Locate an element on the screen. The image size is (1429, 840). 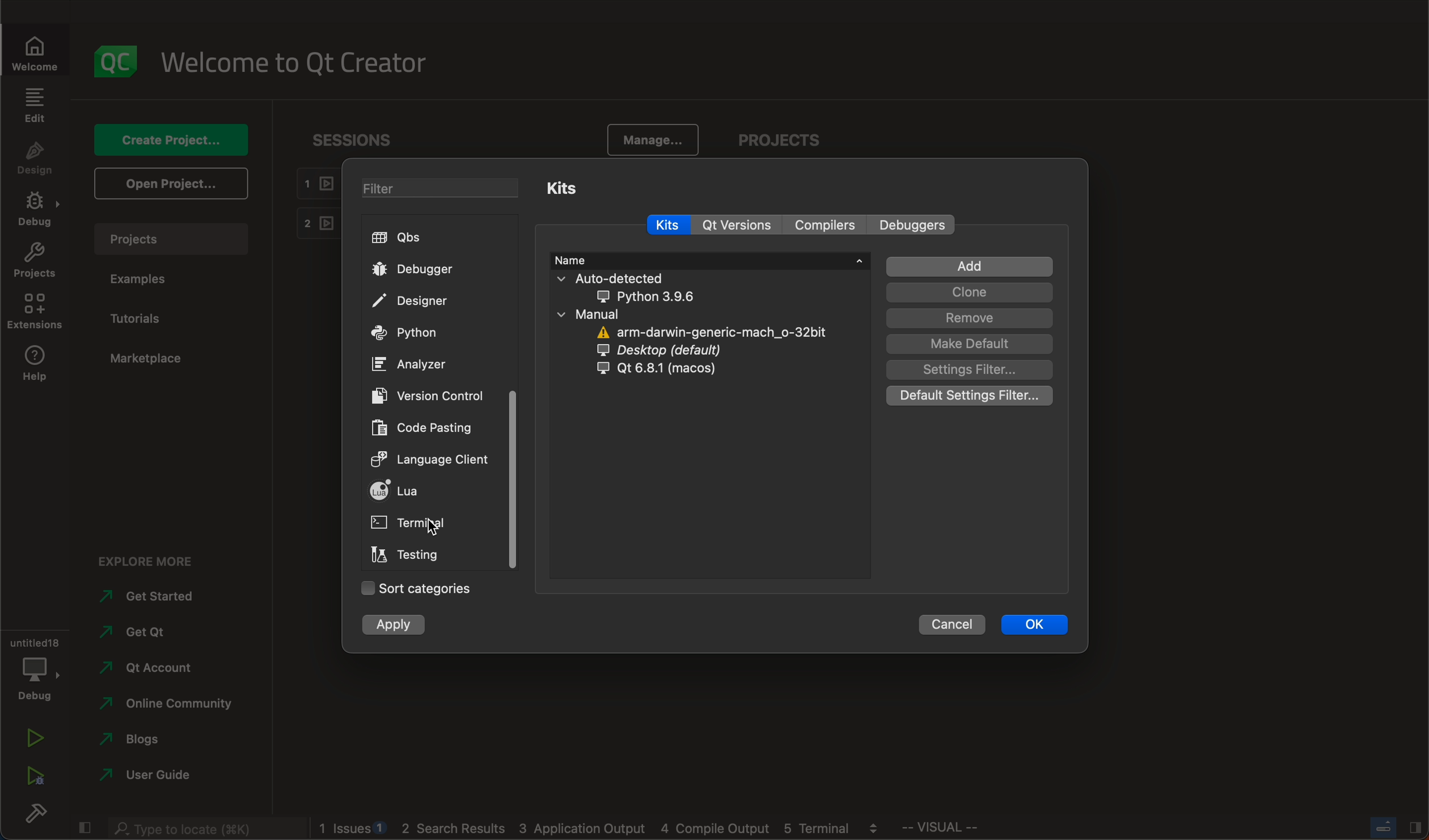
make is located at coordinates (971, 344).